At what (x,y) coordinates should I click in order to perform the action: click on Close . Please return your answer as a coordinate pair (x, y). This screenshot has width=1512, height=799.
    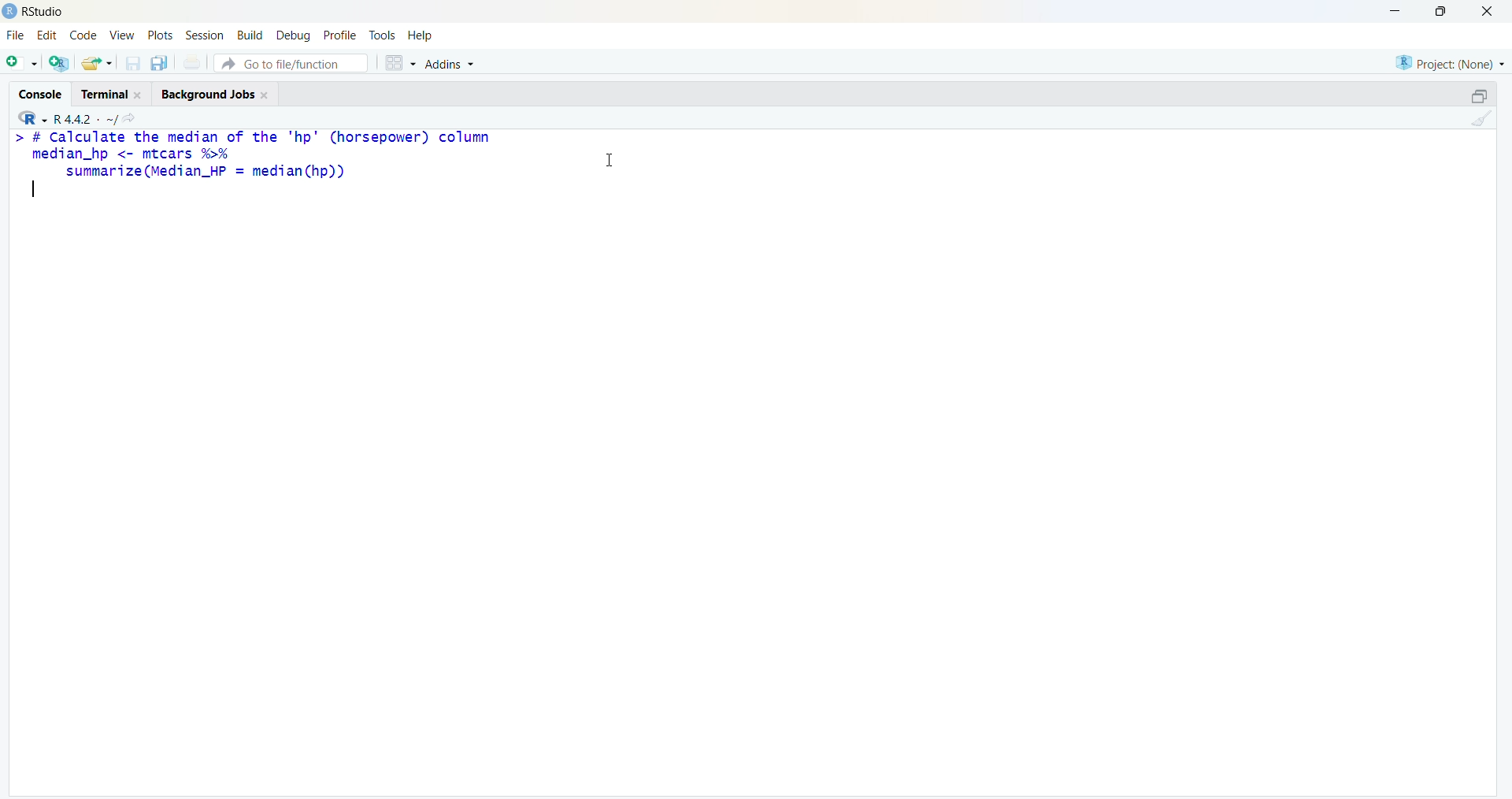
    Looking at the image, I should click on (266, 95).